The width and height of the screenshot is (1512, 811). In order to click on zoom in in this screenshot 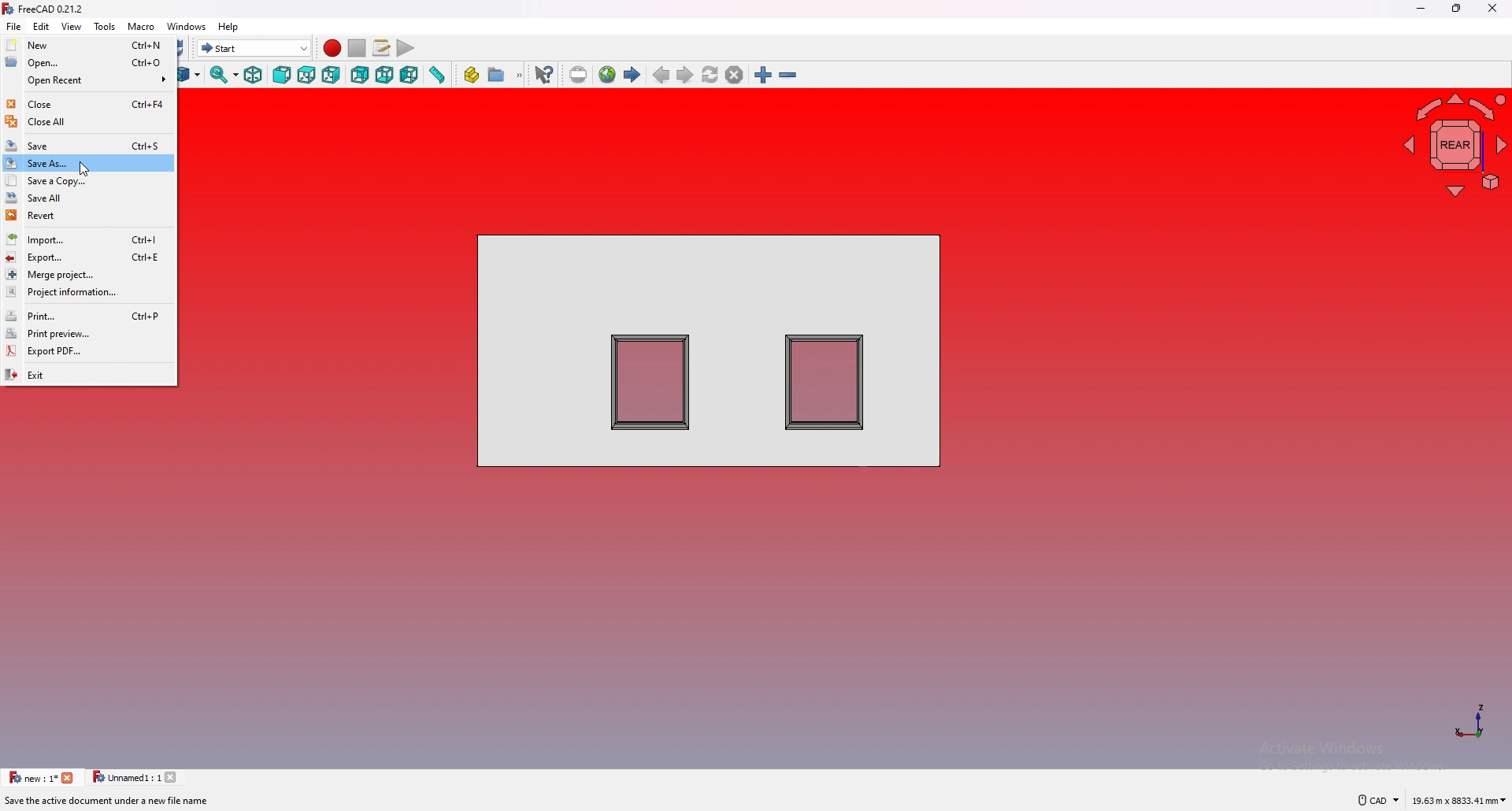, I will do `click(763, 75)`.